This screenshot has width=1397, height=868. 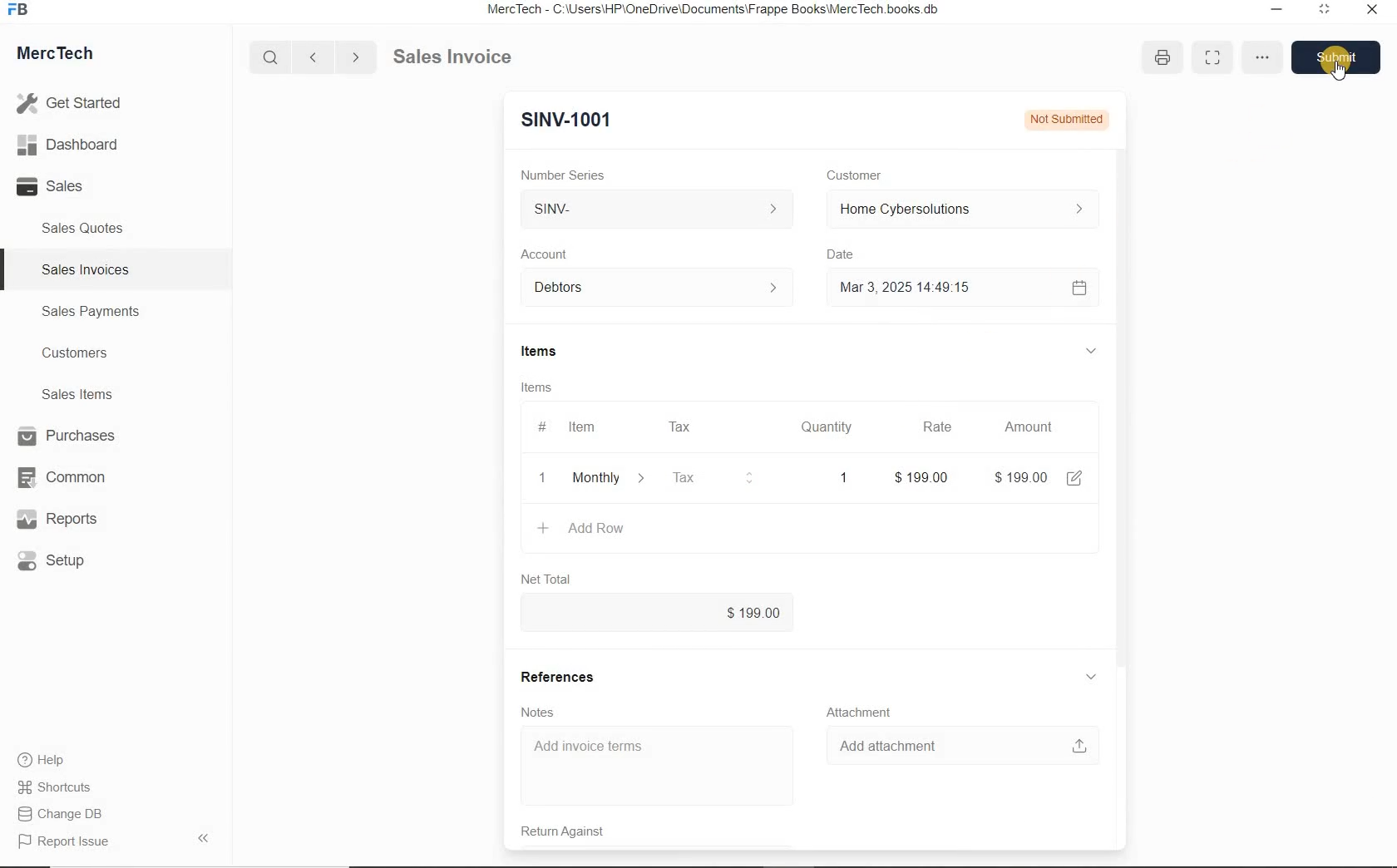 I want to click on Sales Quotes, so click(x=86, y=228).